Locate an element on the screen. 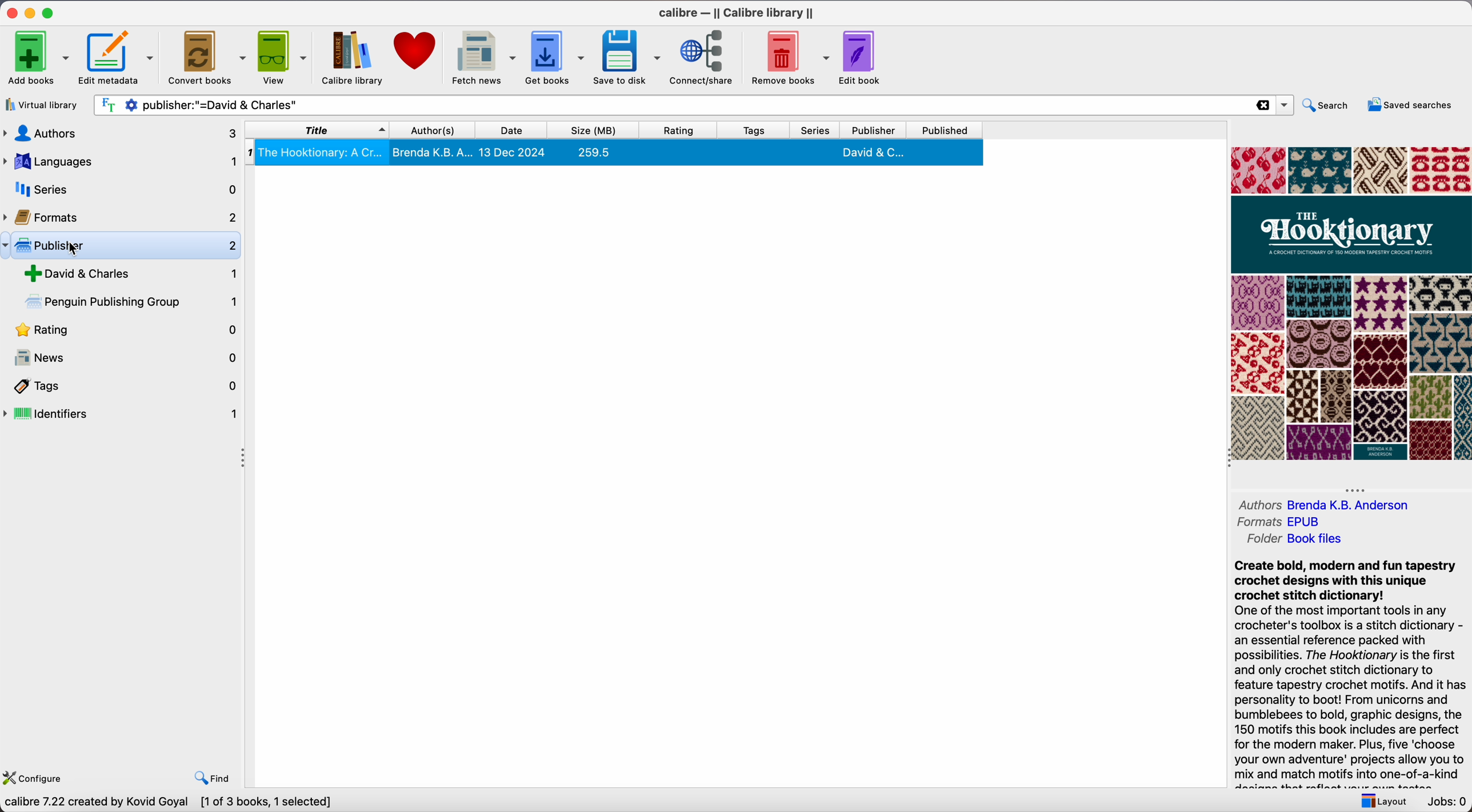 The width and height of the screenshot is (1472, 812). rating is located at coordinates (122, 331).